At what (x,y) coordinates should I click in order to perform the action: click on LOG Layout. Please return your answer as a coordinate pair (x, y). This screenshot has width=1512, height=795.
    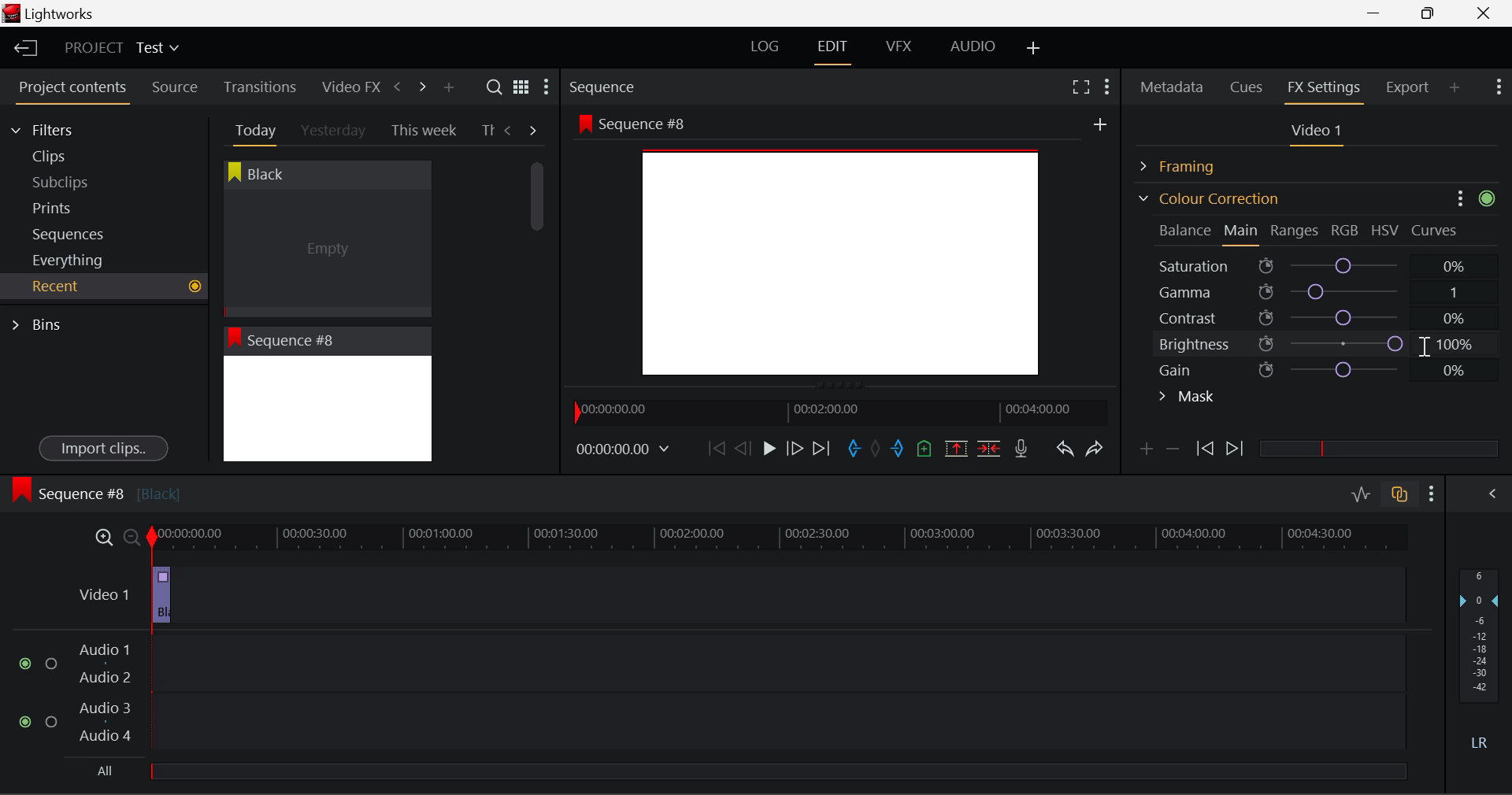
    Looking at the image, I should click on (764, 46).